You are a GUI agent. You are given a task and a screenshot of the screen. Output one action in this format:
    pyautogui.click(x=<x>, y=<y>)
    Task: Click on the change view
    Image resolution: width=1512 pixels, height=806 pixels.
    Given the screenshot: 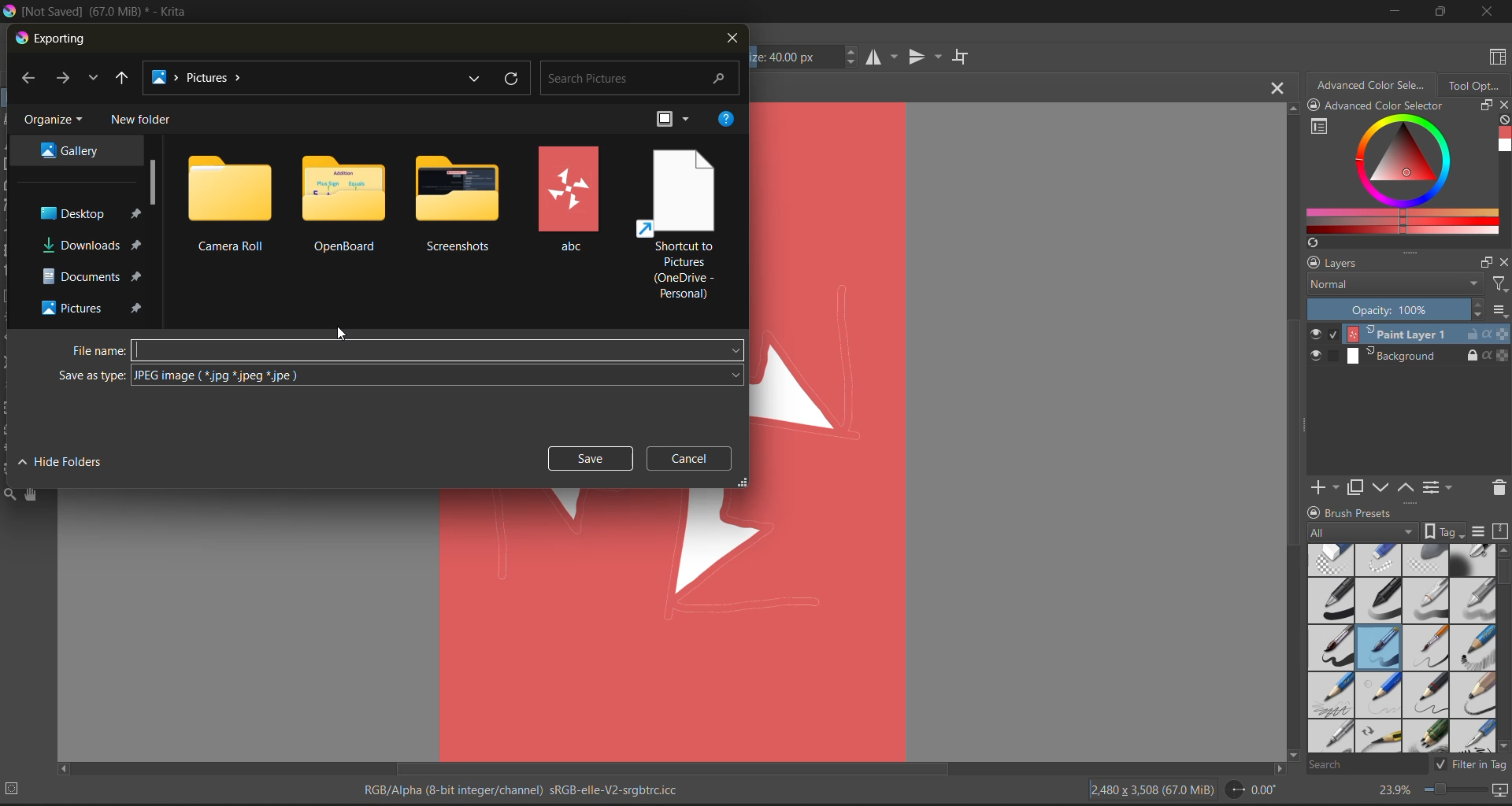 What is the action you would take?
    pyautogui.click(x=673, y=120)
    